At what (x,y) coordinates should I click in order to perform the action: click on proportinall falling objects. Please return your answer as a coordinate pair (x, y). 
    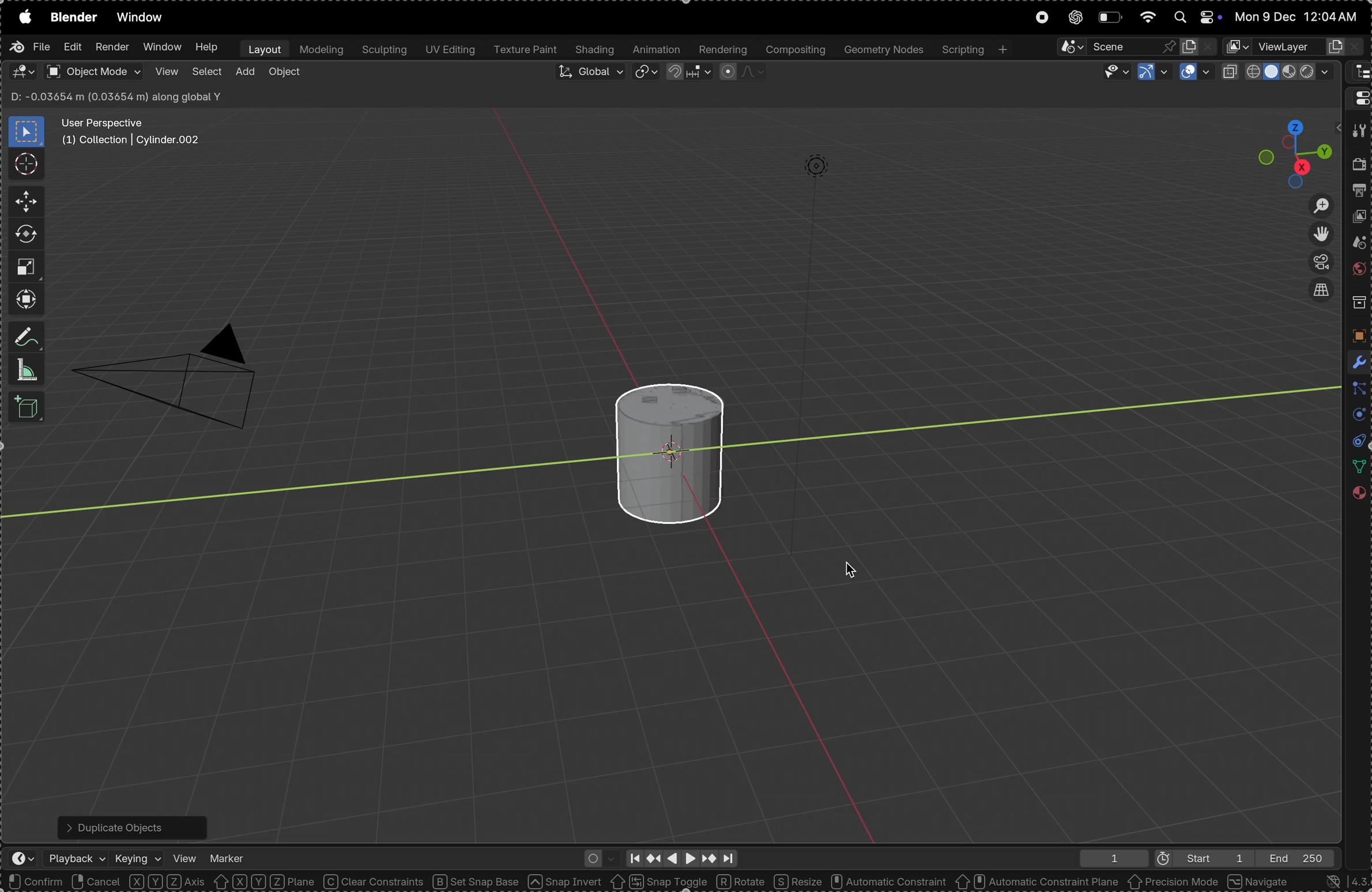
    Looking at the image, I should click on (737, 72).